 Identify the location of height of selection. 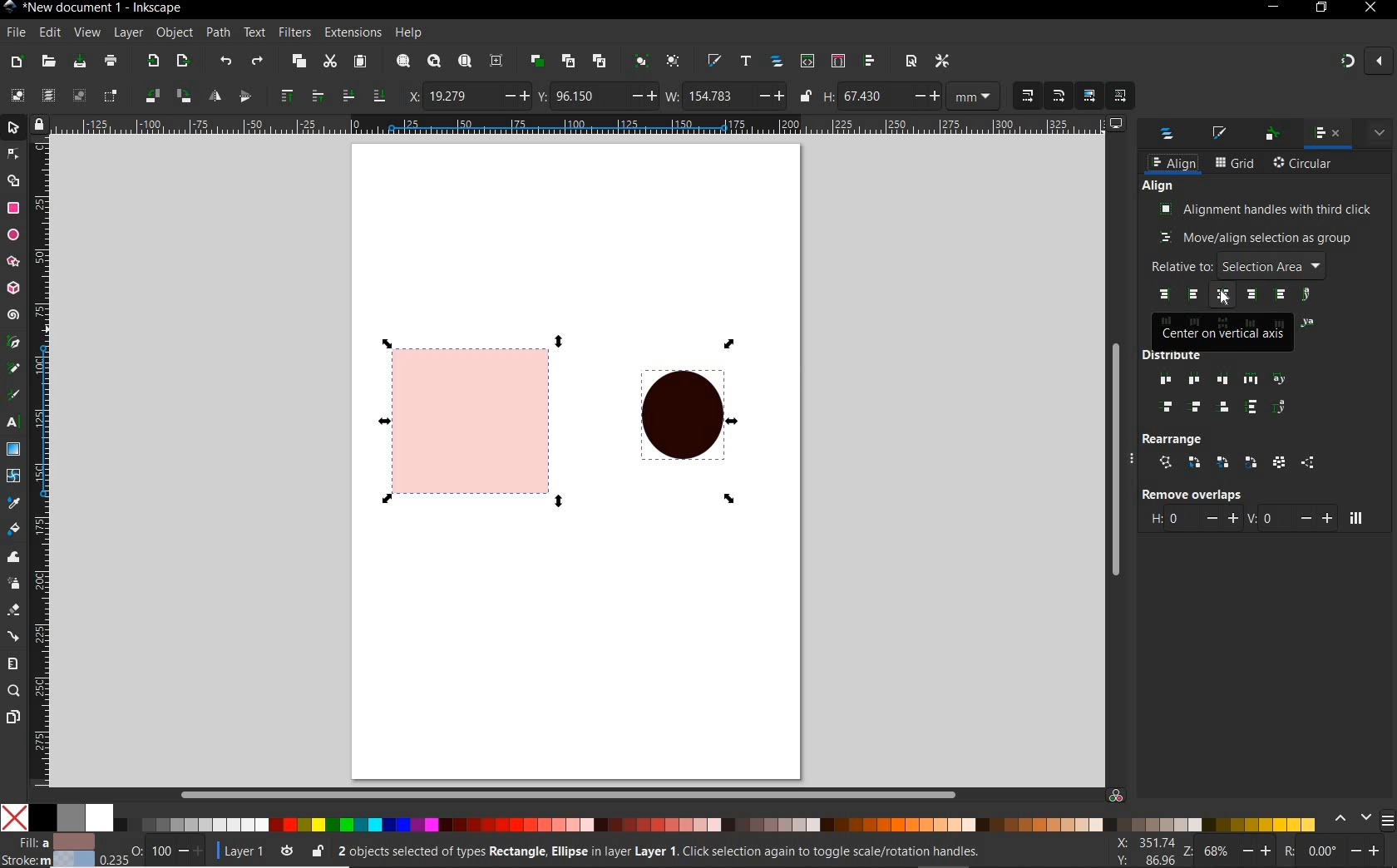
(914, 96).